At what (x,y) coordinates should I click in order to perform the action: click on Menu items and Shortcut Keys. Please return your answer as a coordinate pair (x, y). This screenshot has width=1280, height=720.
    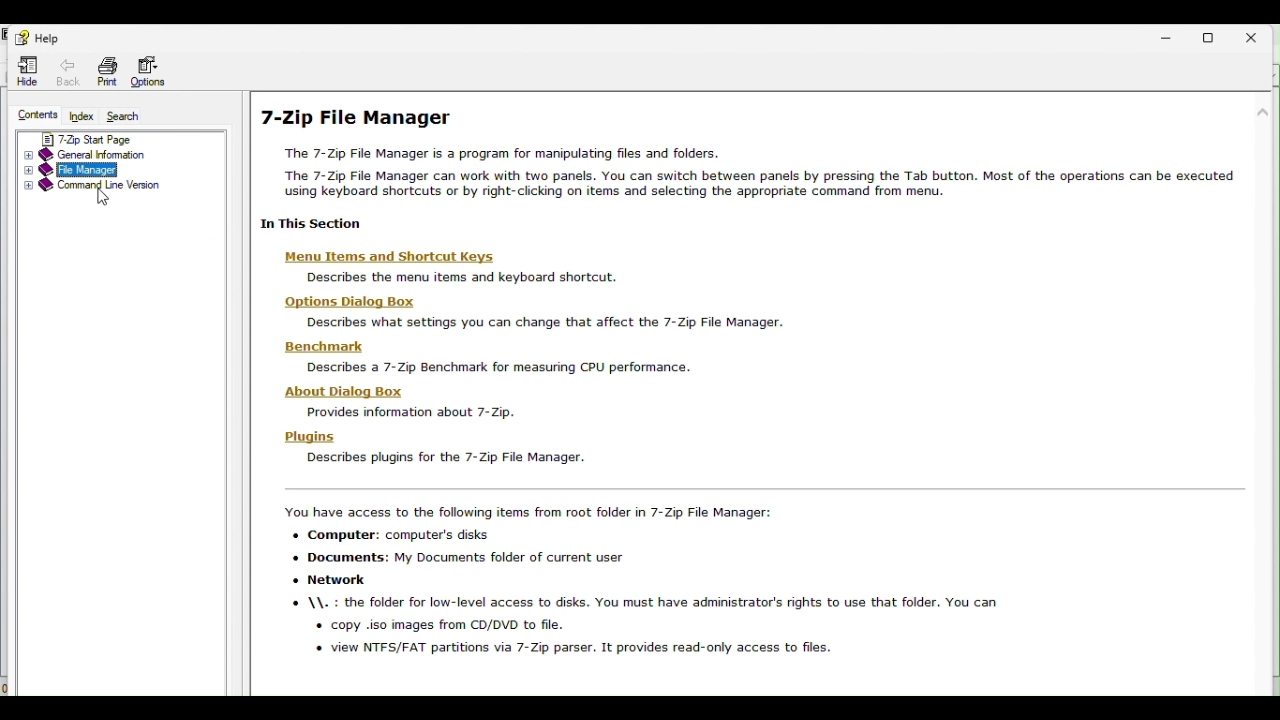
    Looking at the image, I should click on (394, 255).